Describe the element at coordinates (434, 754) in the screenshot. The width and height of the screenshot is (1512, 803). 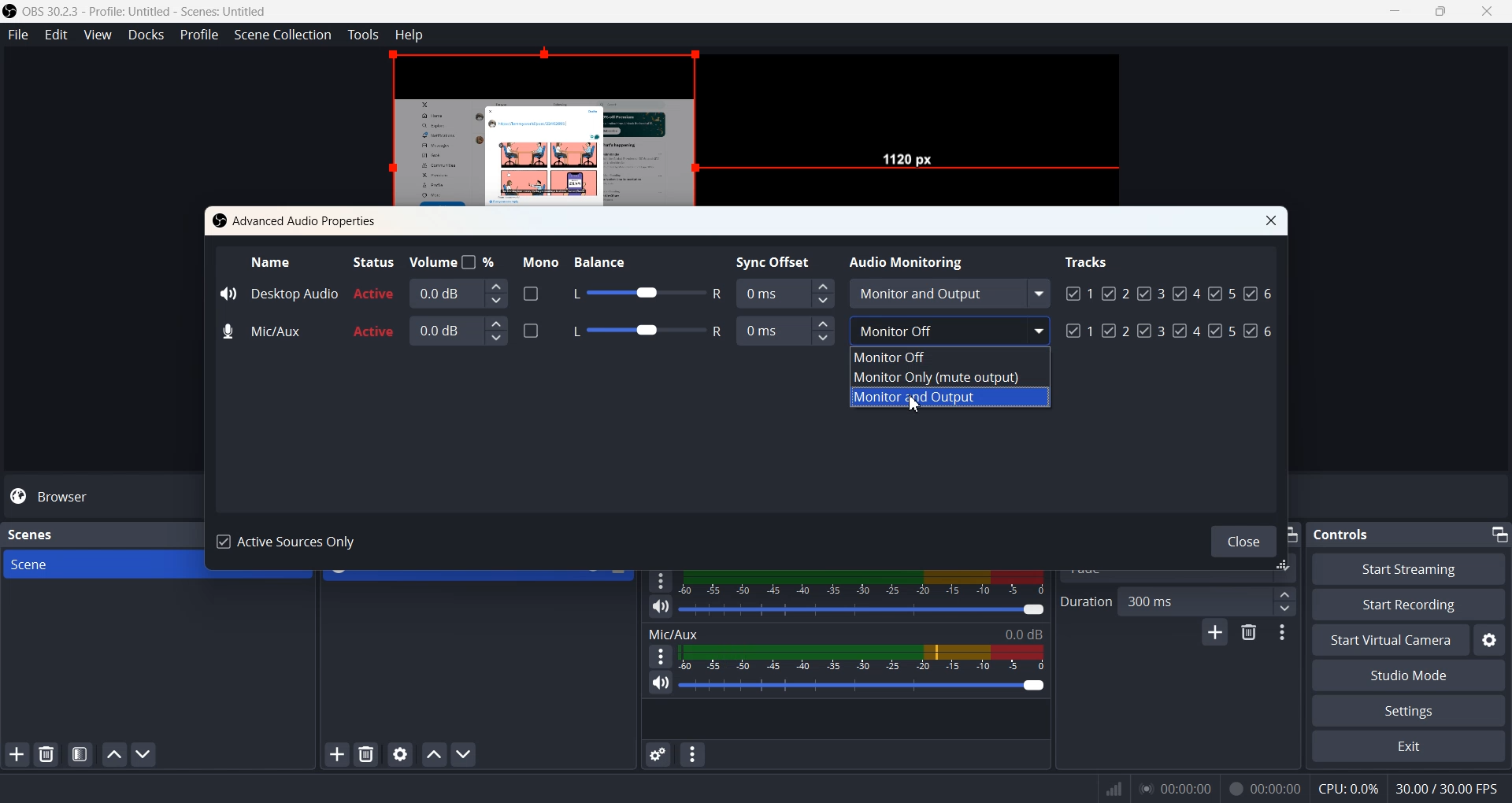
I see `Move sources up` at that location.